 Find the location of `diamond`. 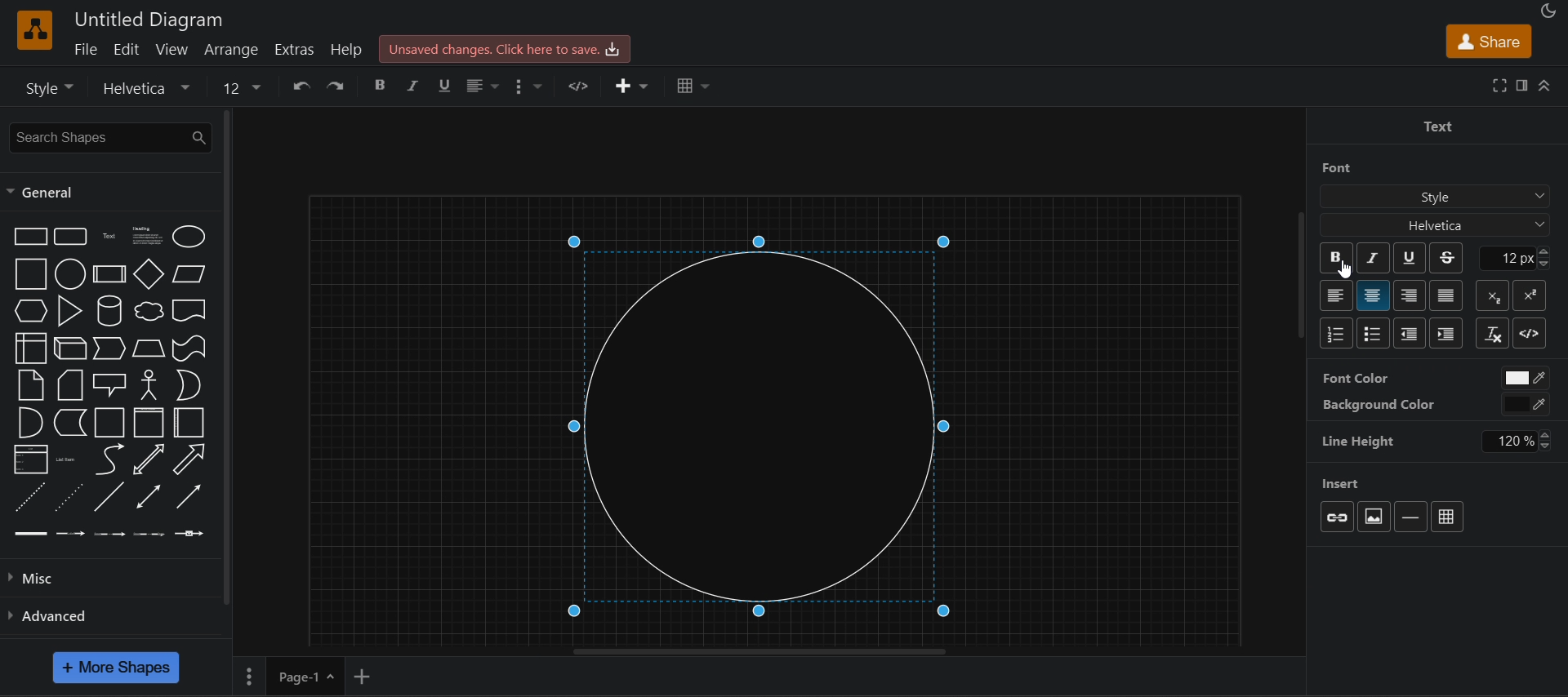

diamond is located at coordinates (149, 273).